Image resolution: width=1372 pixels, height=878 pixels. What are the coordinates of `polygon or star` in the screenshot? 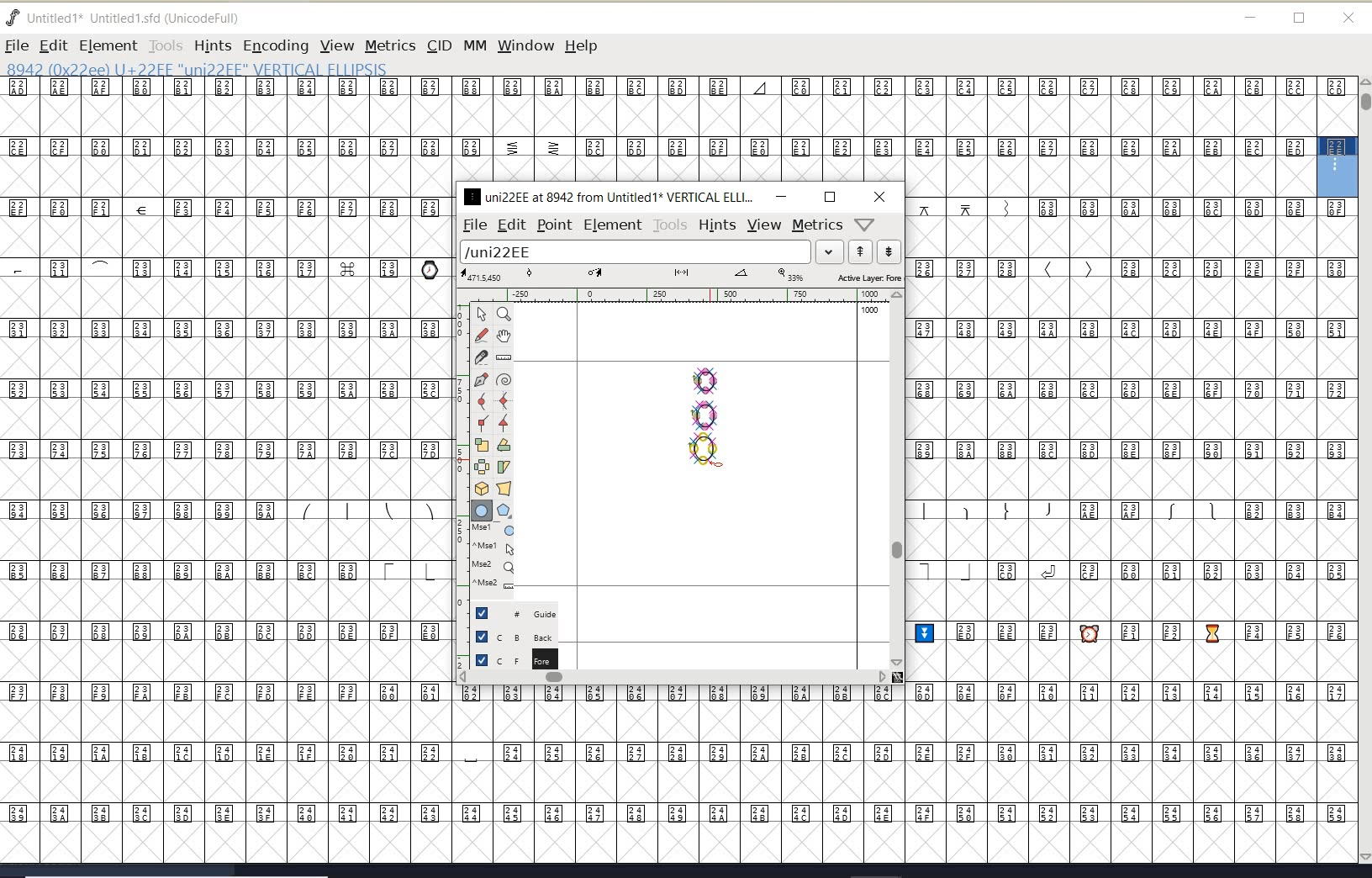 It's located at (504, 512).